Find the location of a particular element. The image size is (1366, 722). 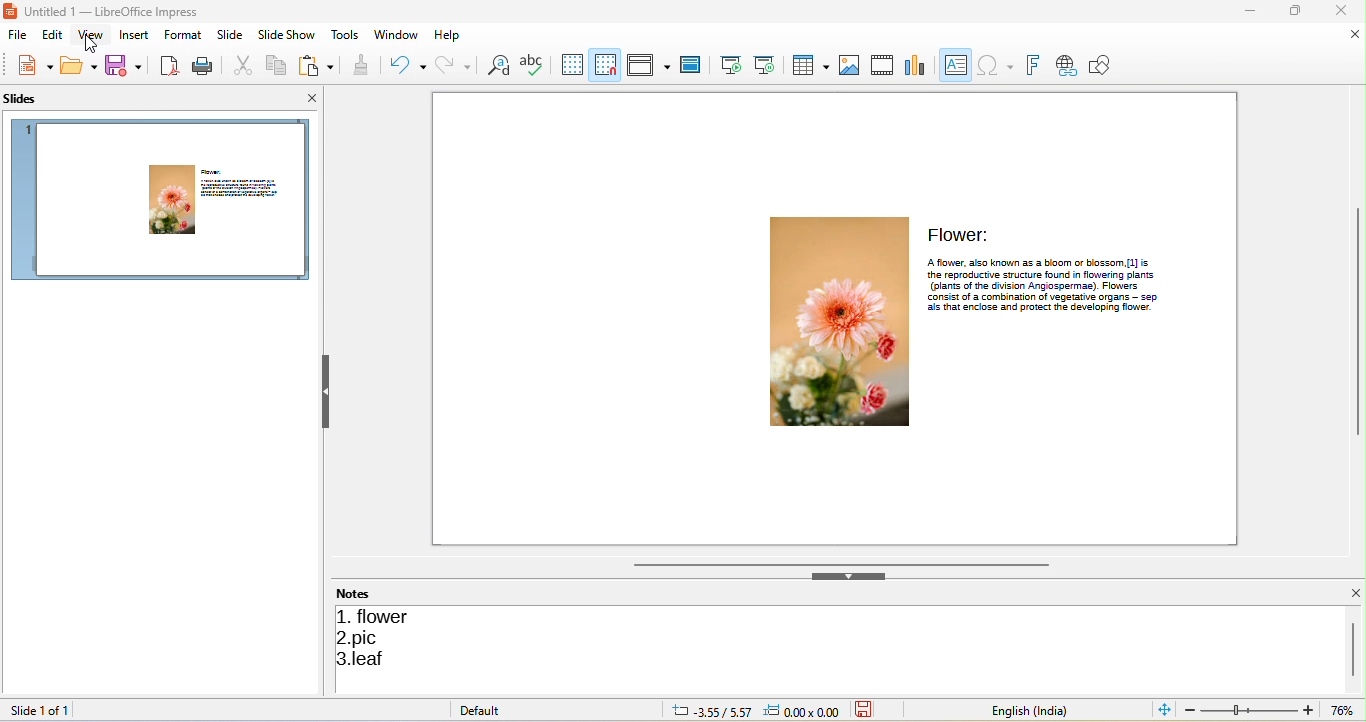

insert is located at coordinates (134, 35).